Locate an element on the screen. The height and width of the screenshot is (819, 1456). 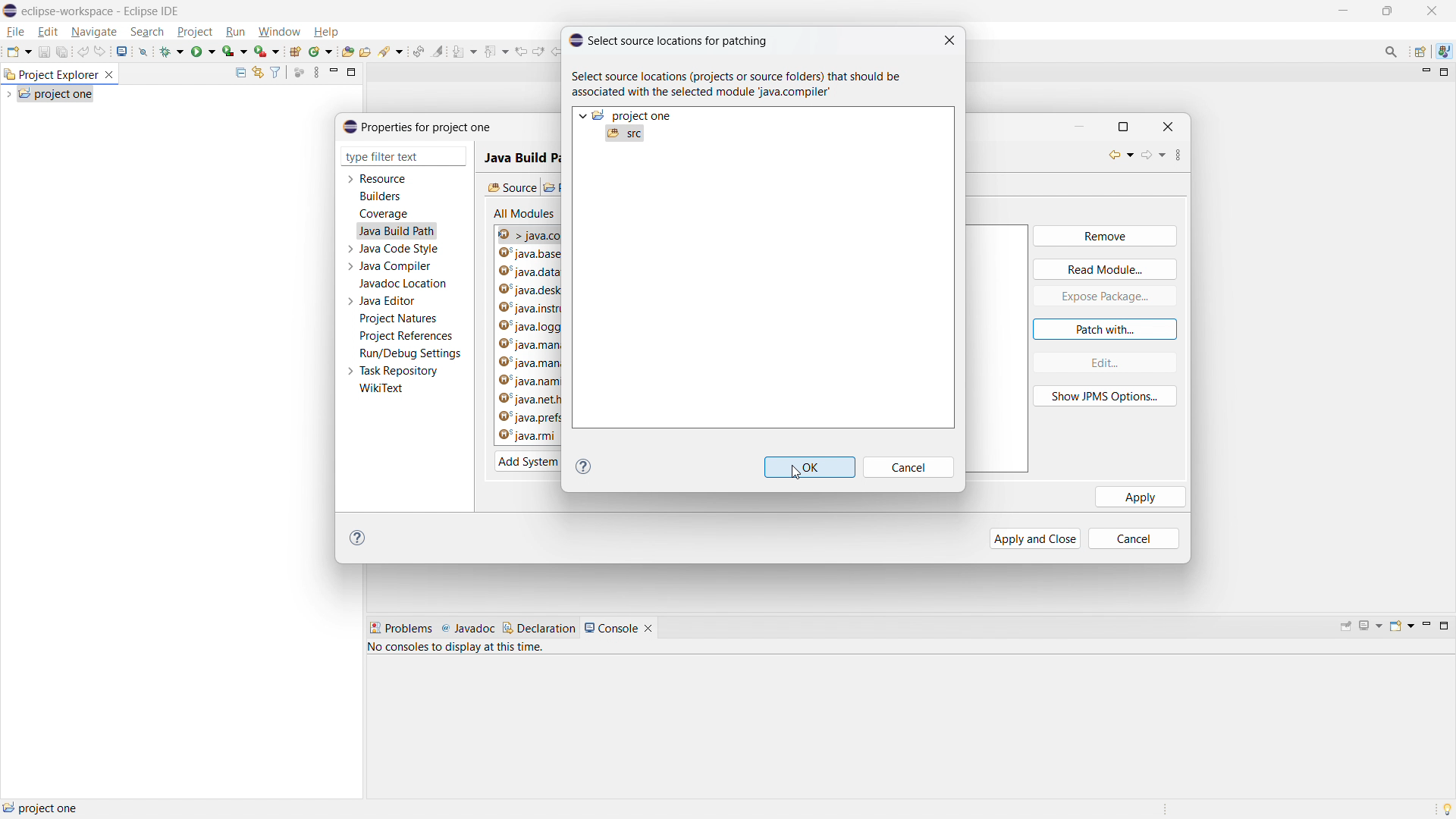
save all is located at coordinates (63, 52).